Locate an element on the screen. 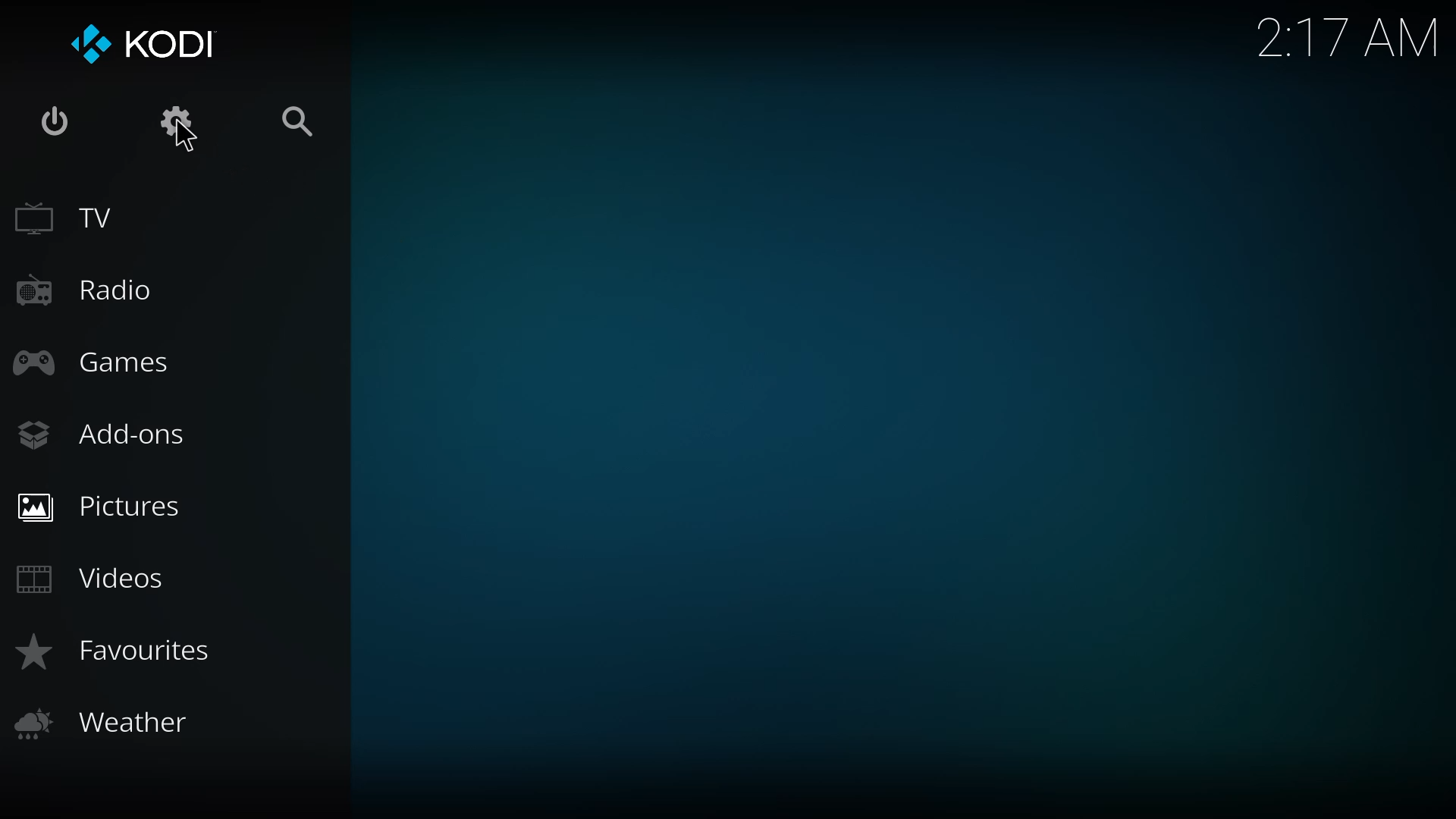  videos is located at coordinates (98, 577).